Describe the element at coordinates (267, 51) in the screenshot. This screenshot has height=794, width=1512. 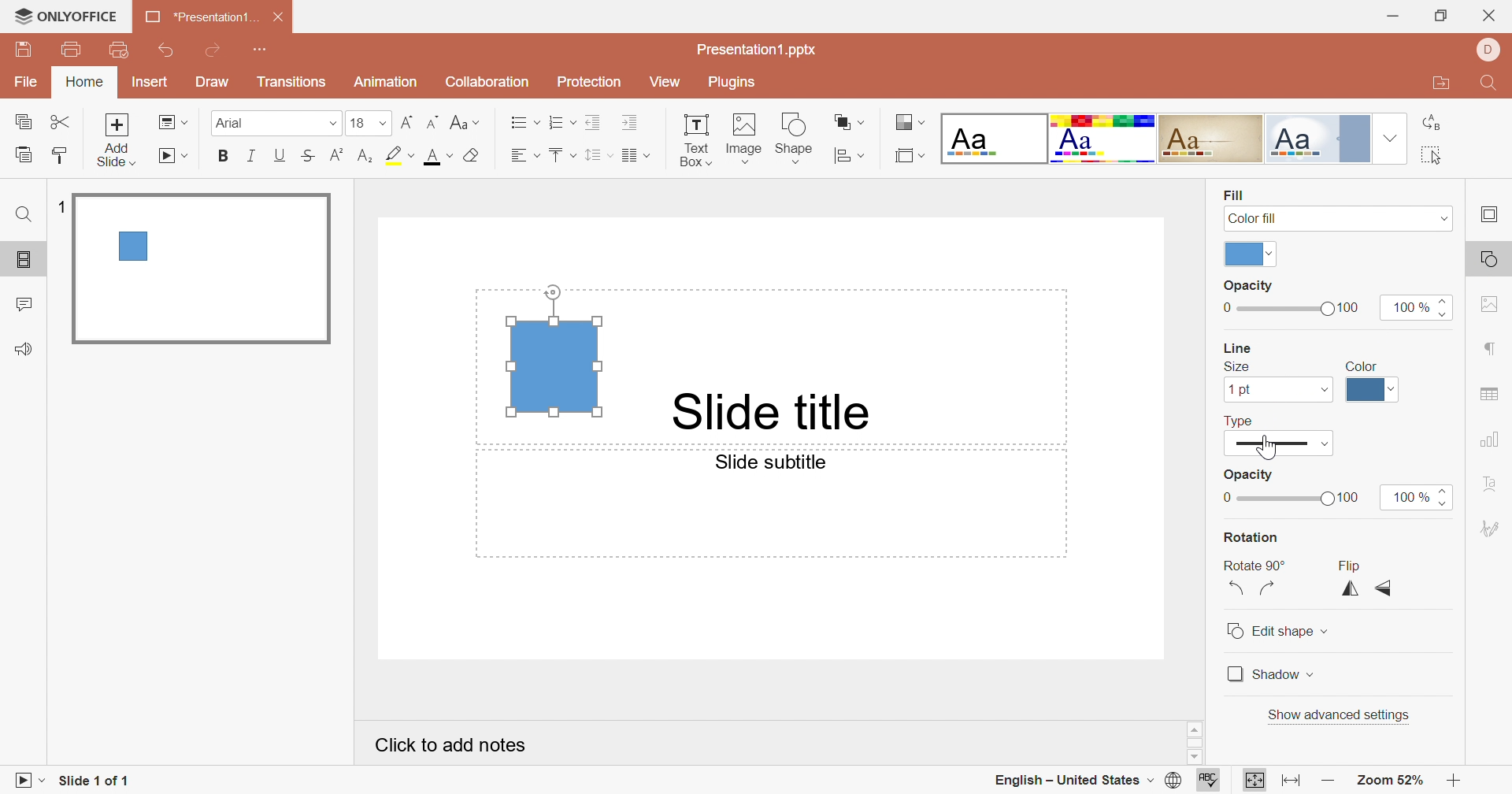
I see `Customize Quick Access Toolbar` at that location.